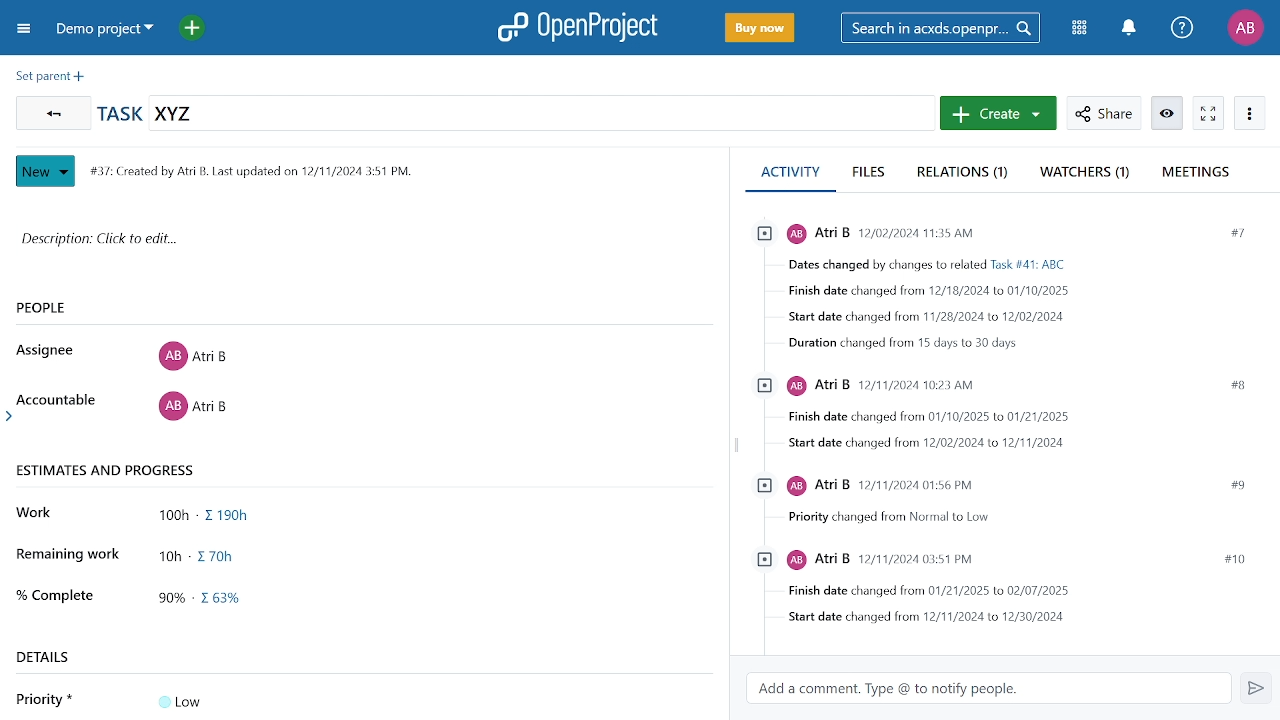 The height and width of the screenshot is (720, 1280). Describe the element at coordinates (582, 24) in the screenshot. I see `OpenProject logo` at that location.